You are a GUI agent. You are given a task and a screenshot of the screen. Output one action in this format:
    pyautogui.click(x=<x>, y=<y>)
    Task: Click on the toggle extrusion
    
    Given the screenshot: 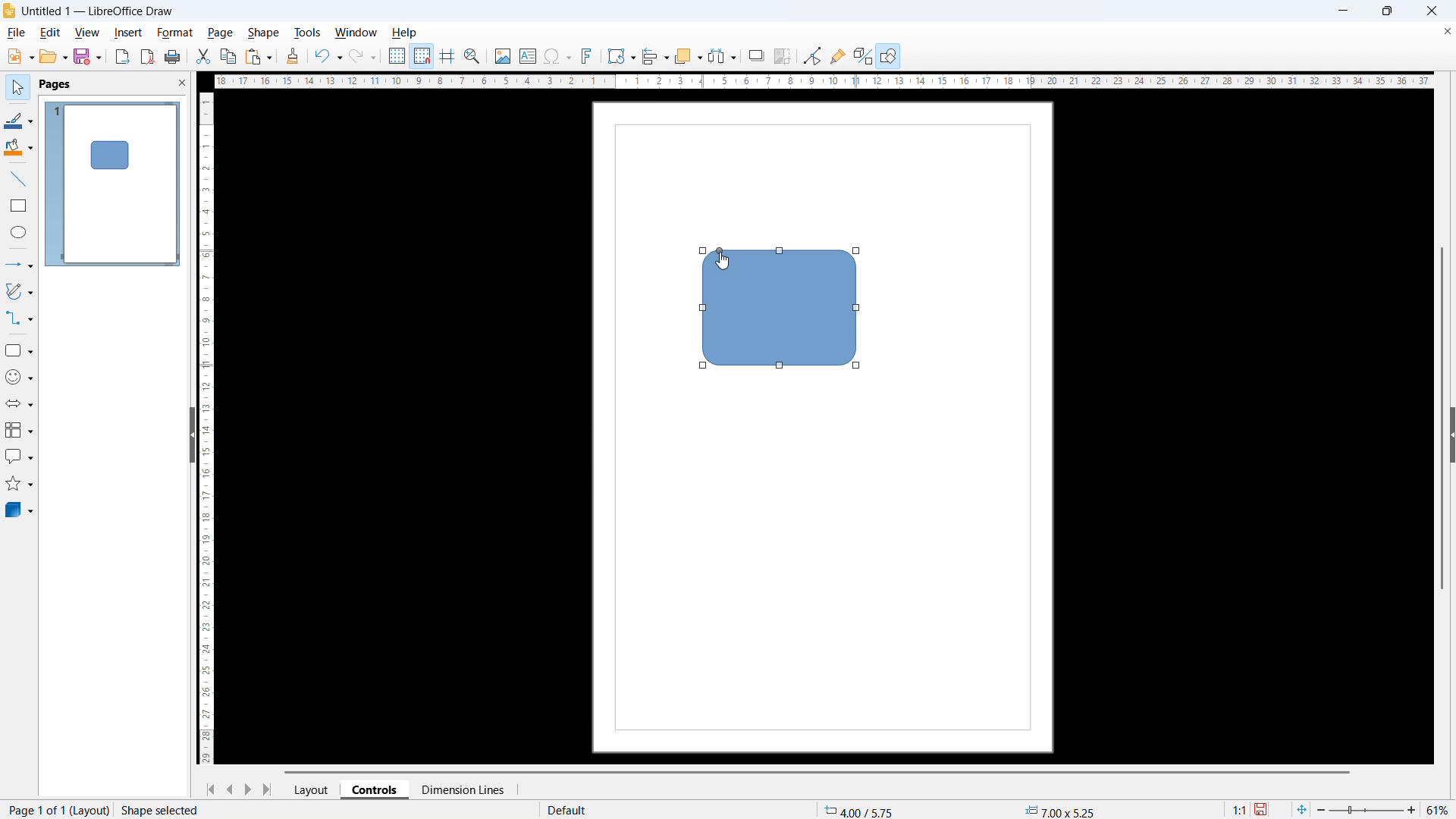 What is the action you would take?
    pyautogui.click(x=863, y=55)
    